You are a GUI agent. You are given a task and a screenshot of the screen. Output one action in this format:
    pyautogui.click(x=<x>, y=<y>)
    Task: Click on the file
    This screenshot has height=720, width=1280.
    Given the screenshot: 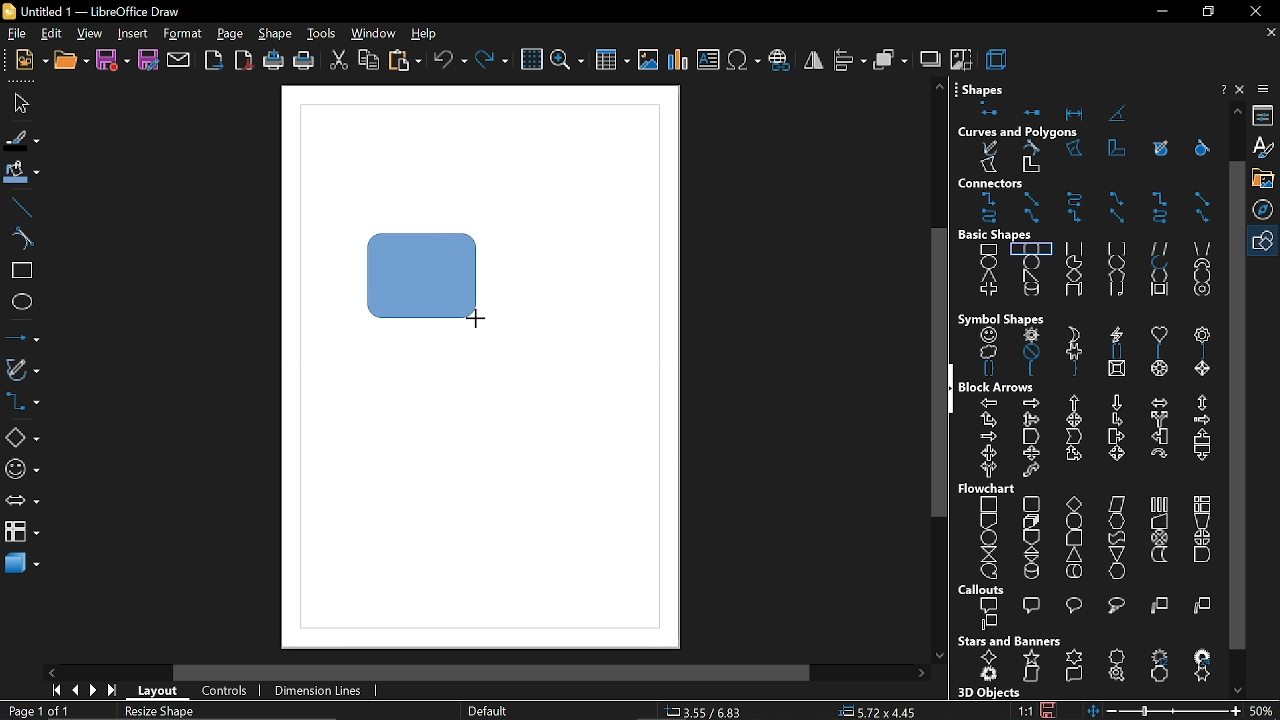 What is the action you would take?
    pyautogui.click(x=15, y=35)
    